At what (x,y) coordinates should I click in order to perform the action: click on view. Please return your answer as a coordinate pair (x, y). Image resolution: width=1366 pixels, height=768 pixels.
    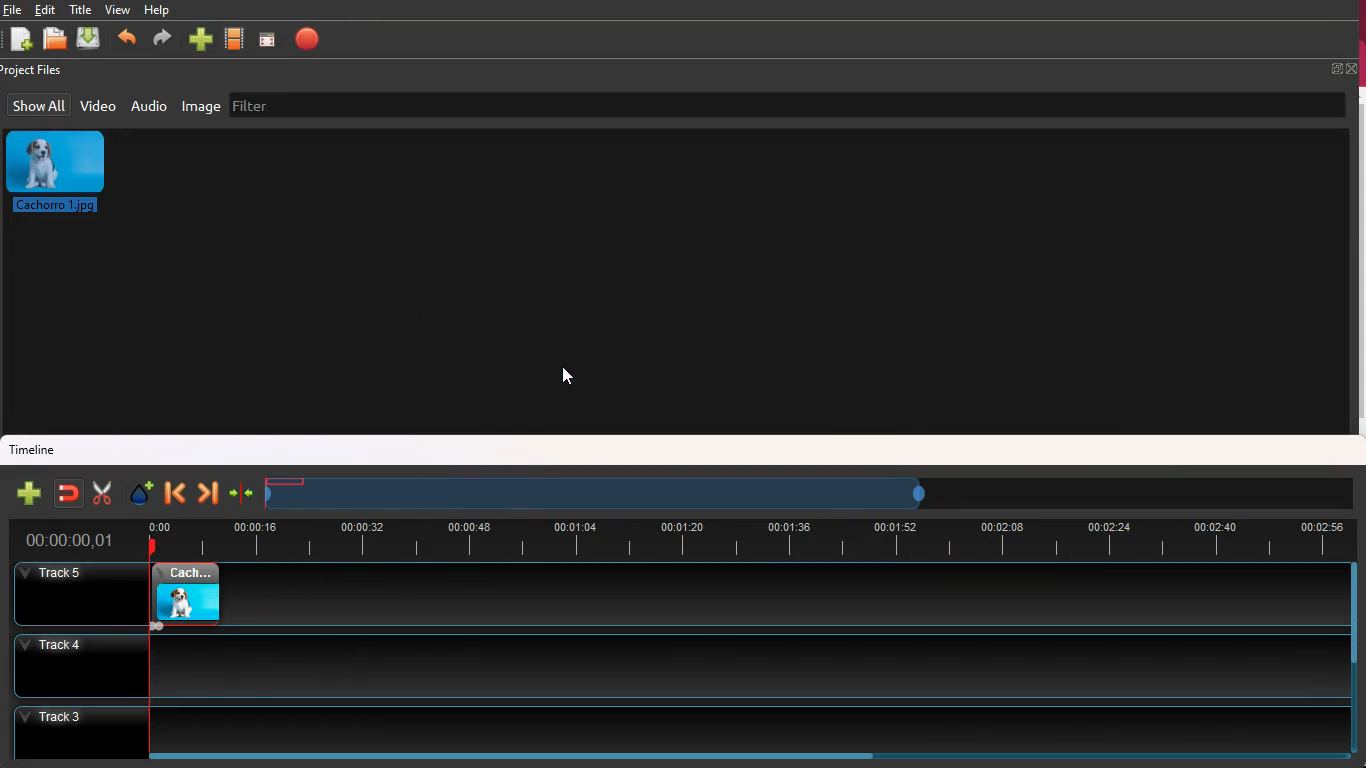
    Looking at the image, I should click on (120, 10).